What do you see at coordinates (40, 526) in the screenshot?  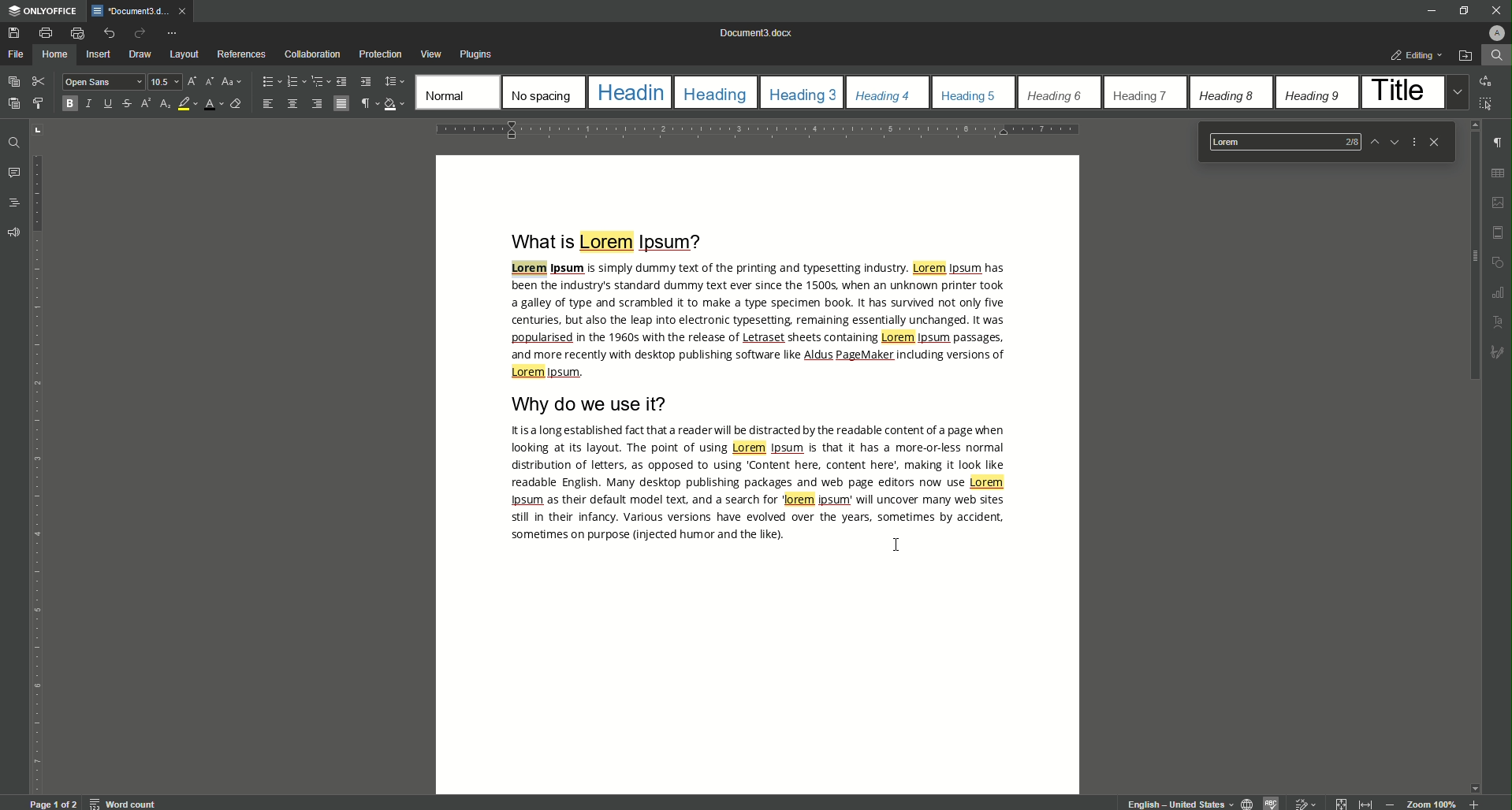 I see `vertical scale` at bounding box center [40, 526].